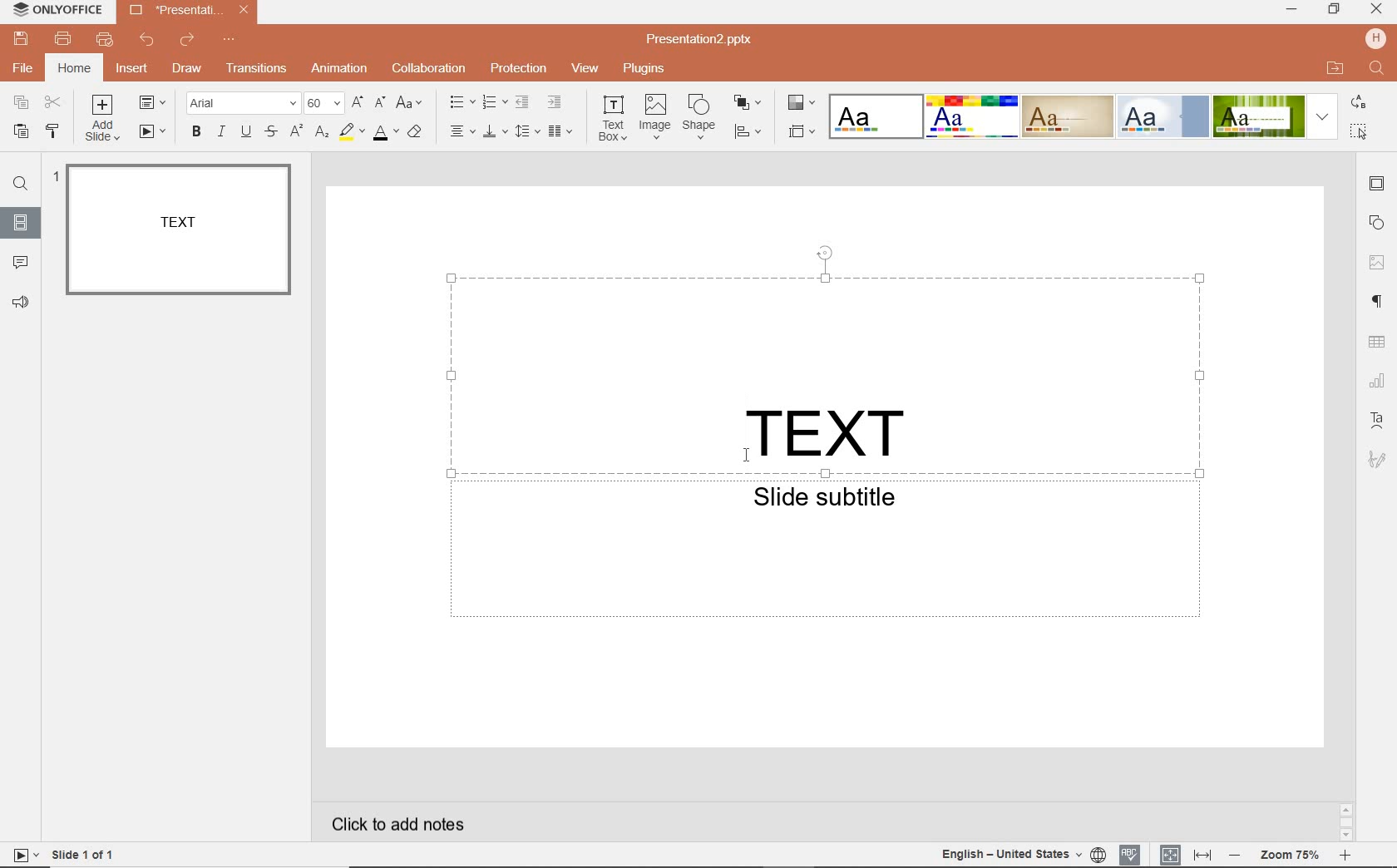 This screenshot has width=1397, height=868. Describe the element at coordinates (1379, 300) in the screenshot. I see `PARAGRAPH SETTINGS` at that location.